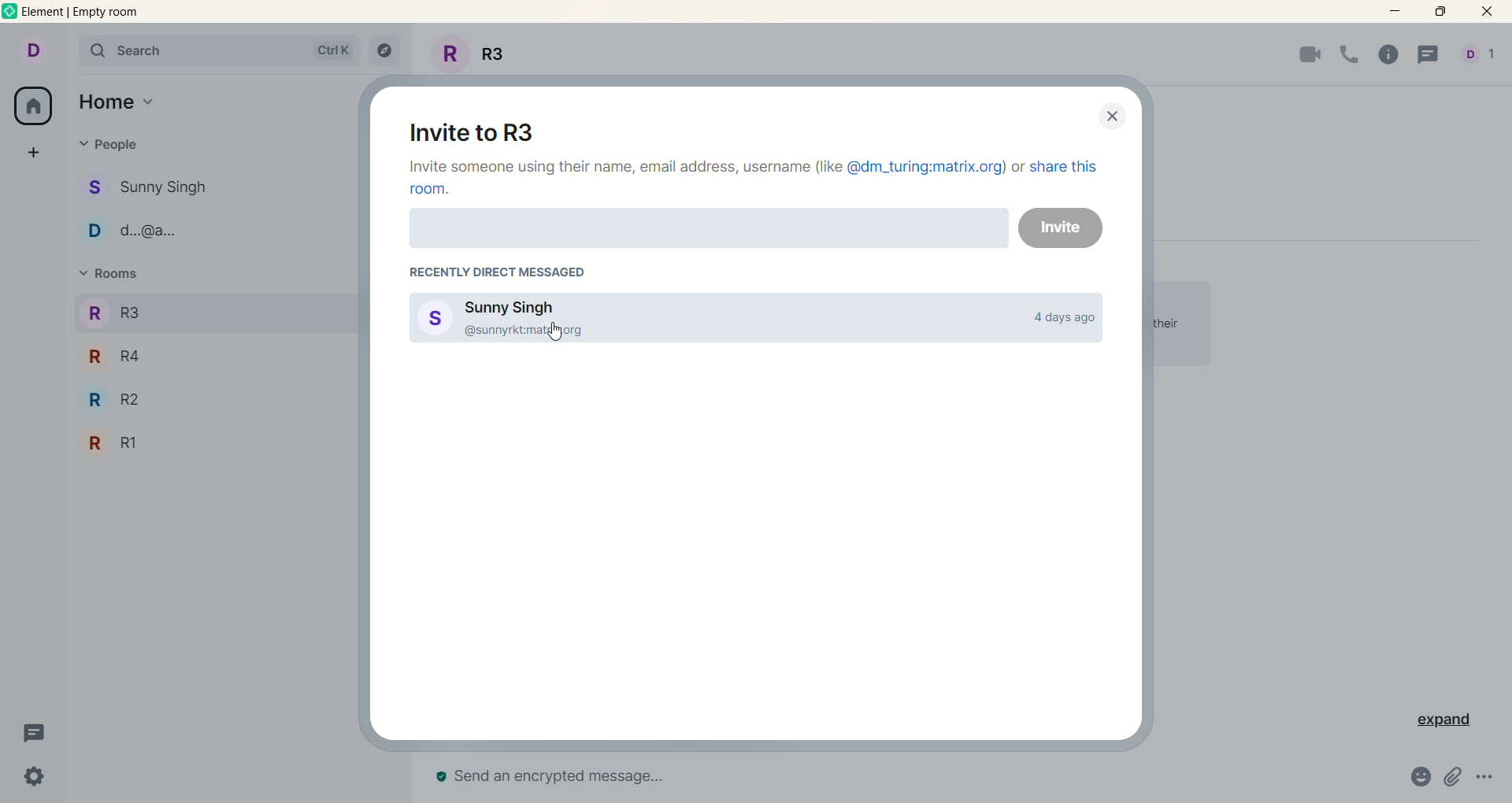 The height and width of the screenshot is (803, 1512). Describe the element at coordinates (150, 191) in the screenshot. I see `S Sunny Singh` at that location.